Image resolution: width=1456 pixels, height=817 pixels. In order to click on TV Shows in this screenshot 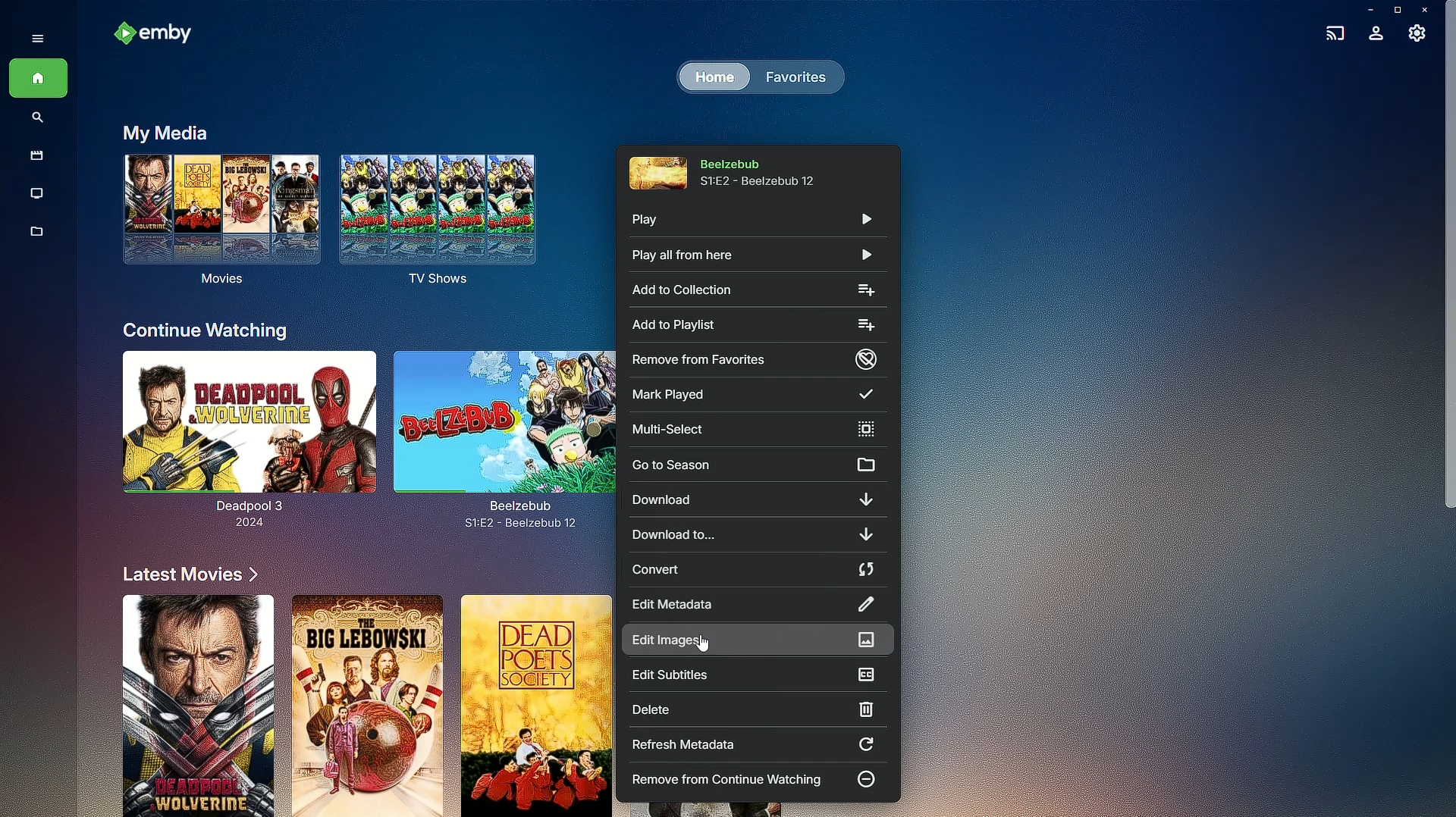, I will do `click(444, 221)`.